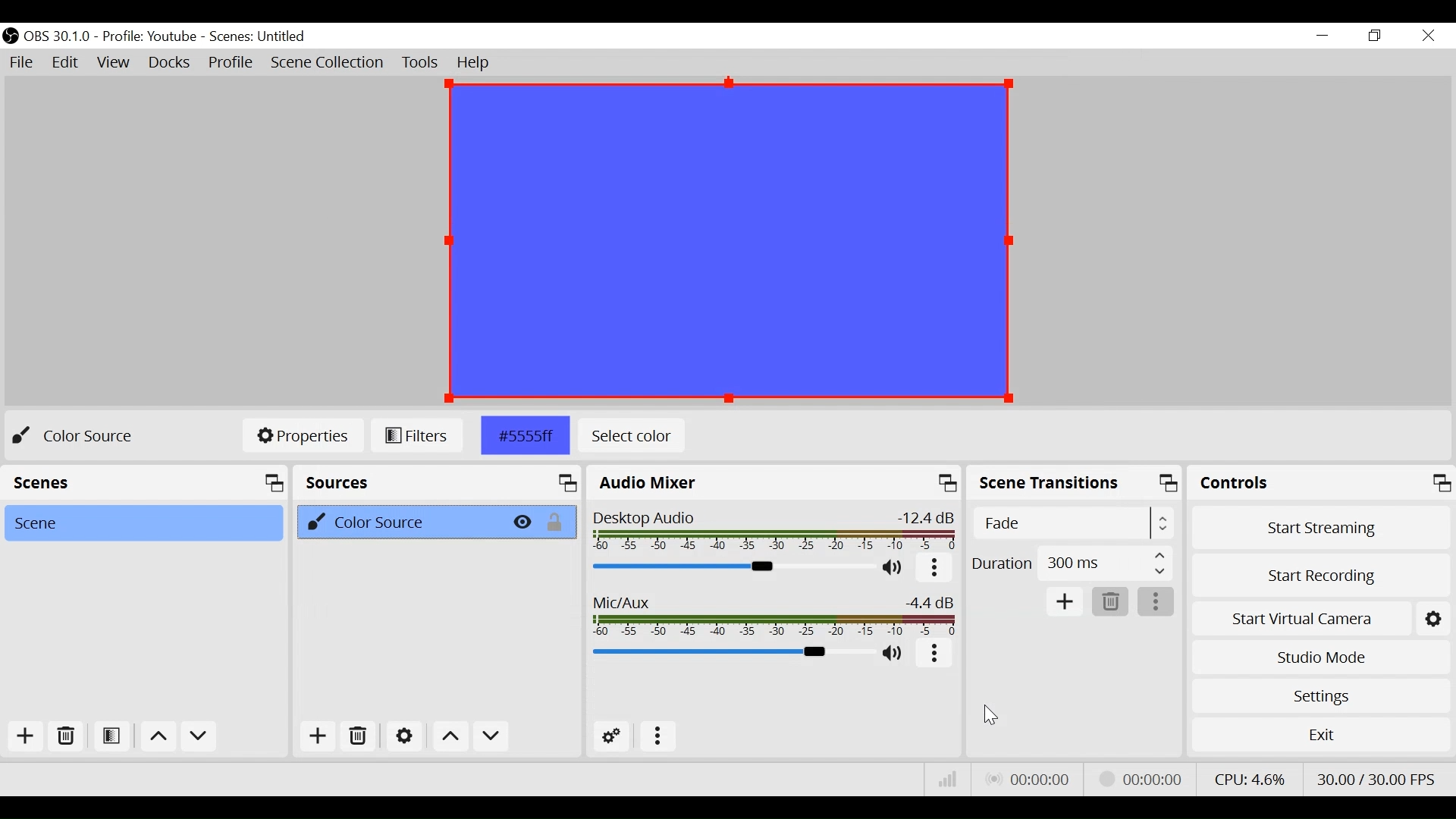  I want to click on View, so click(112, 62).